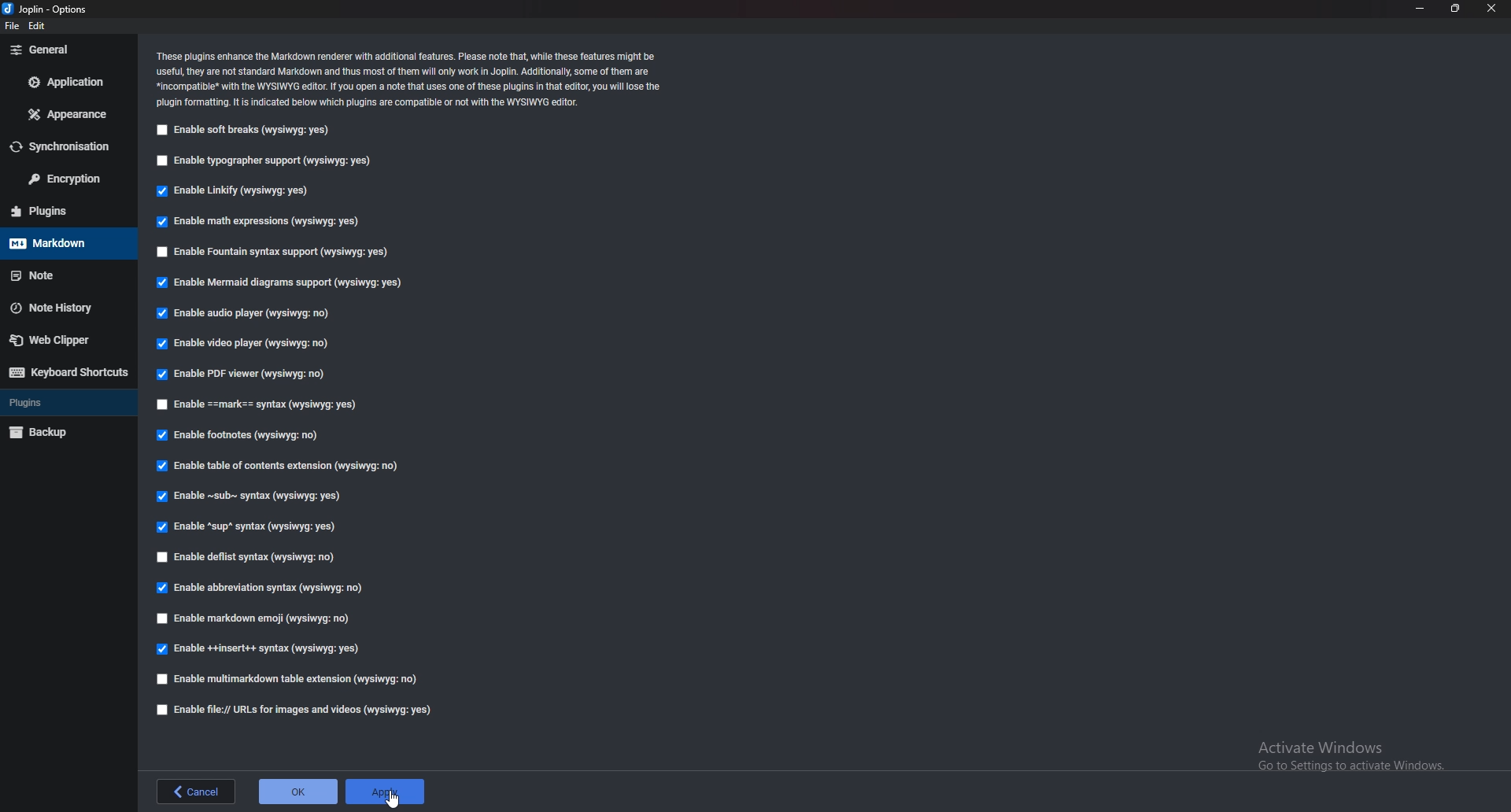 Image resolution: width=1511 pixels, height=812 pixels. I want to click on Encryption, so click(69, 179).